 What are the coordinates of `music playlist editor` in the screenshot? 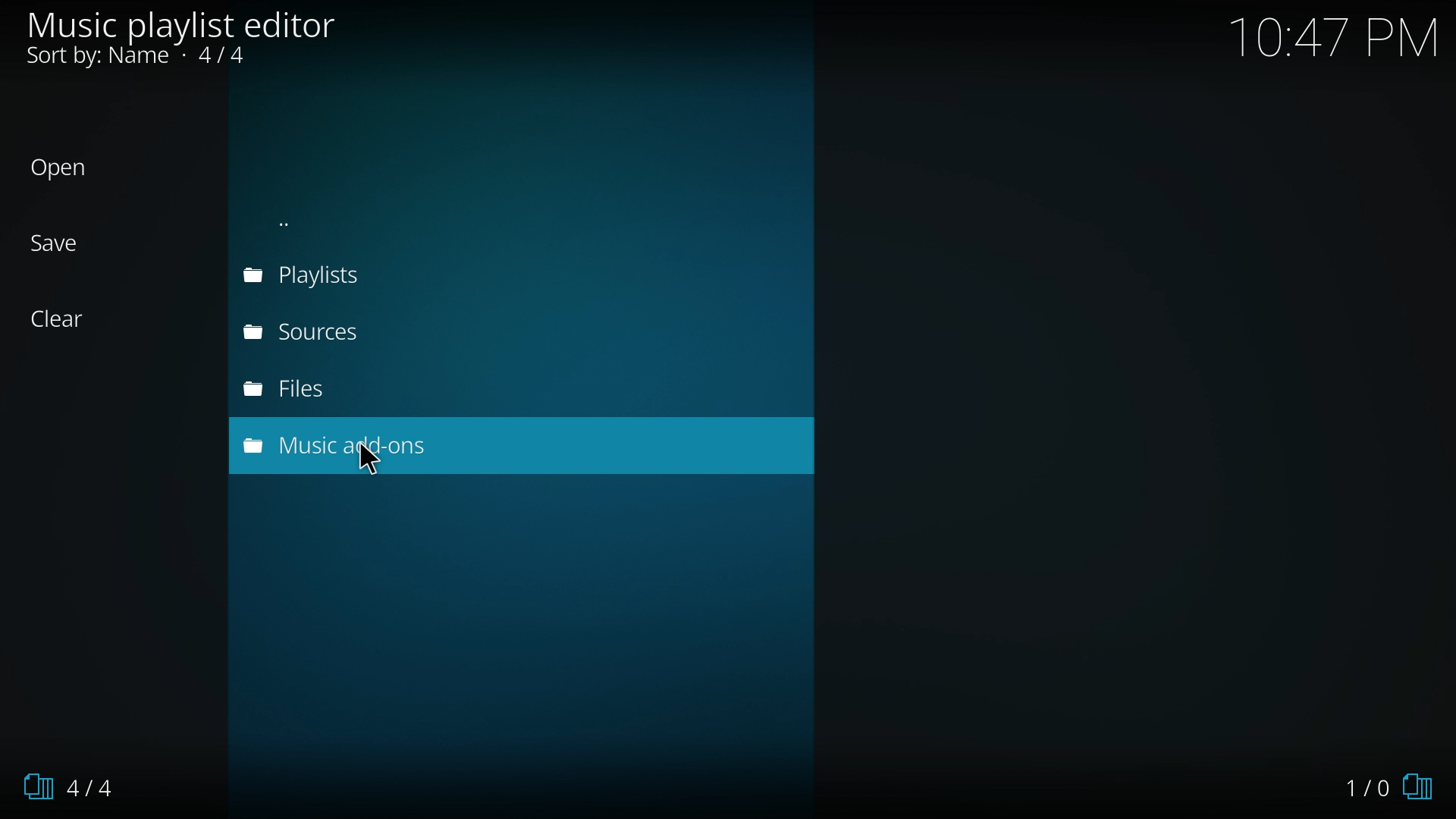 It's located at (201, 43).